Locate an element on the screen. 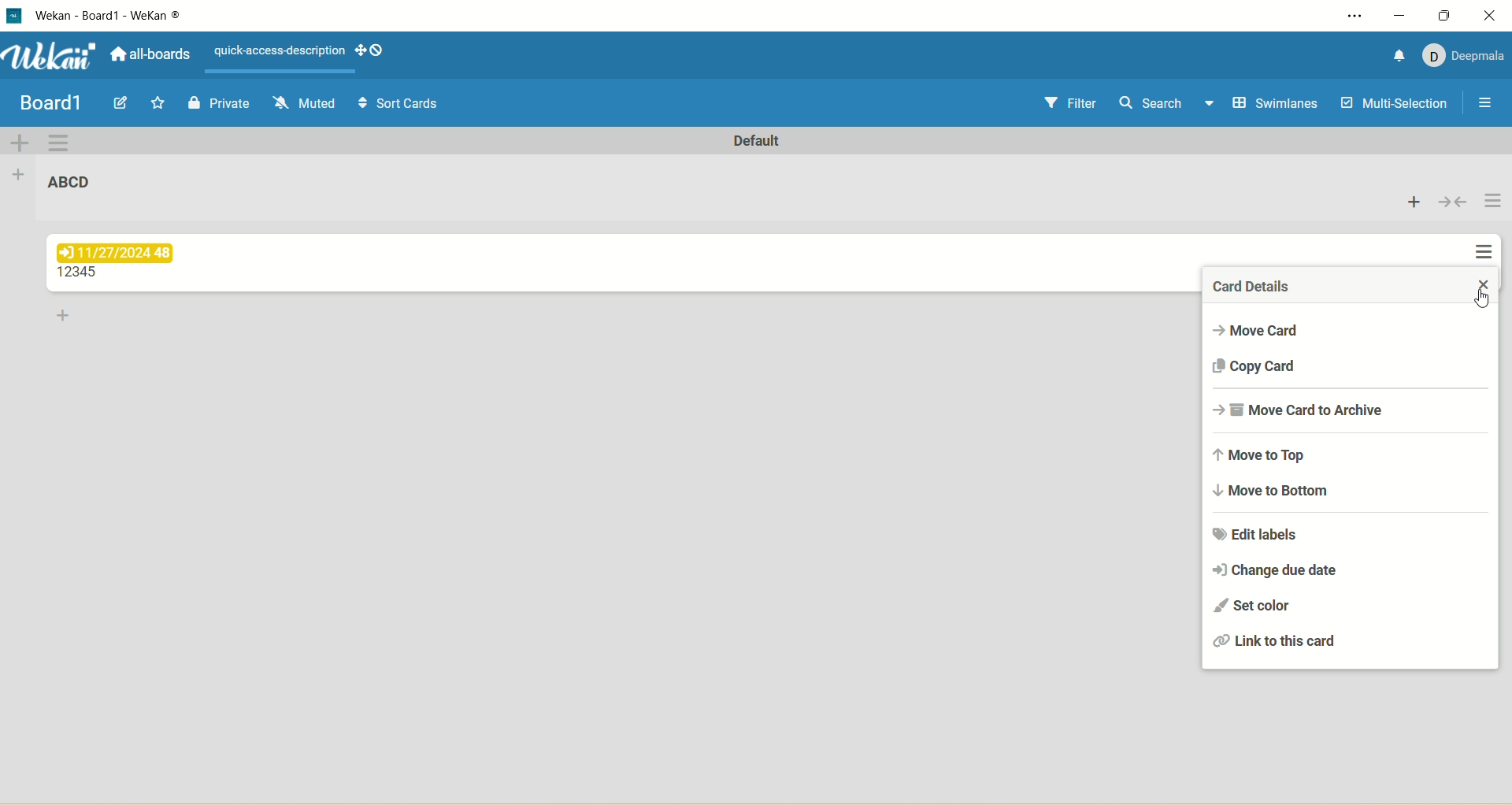 Image resolution: width=1512 pixels, height=805 pixels. list title is located at coordinates (81, 273).